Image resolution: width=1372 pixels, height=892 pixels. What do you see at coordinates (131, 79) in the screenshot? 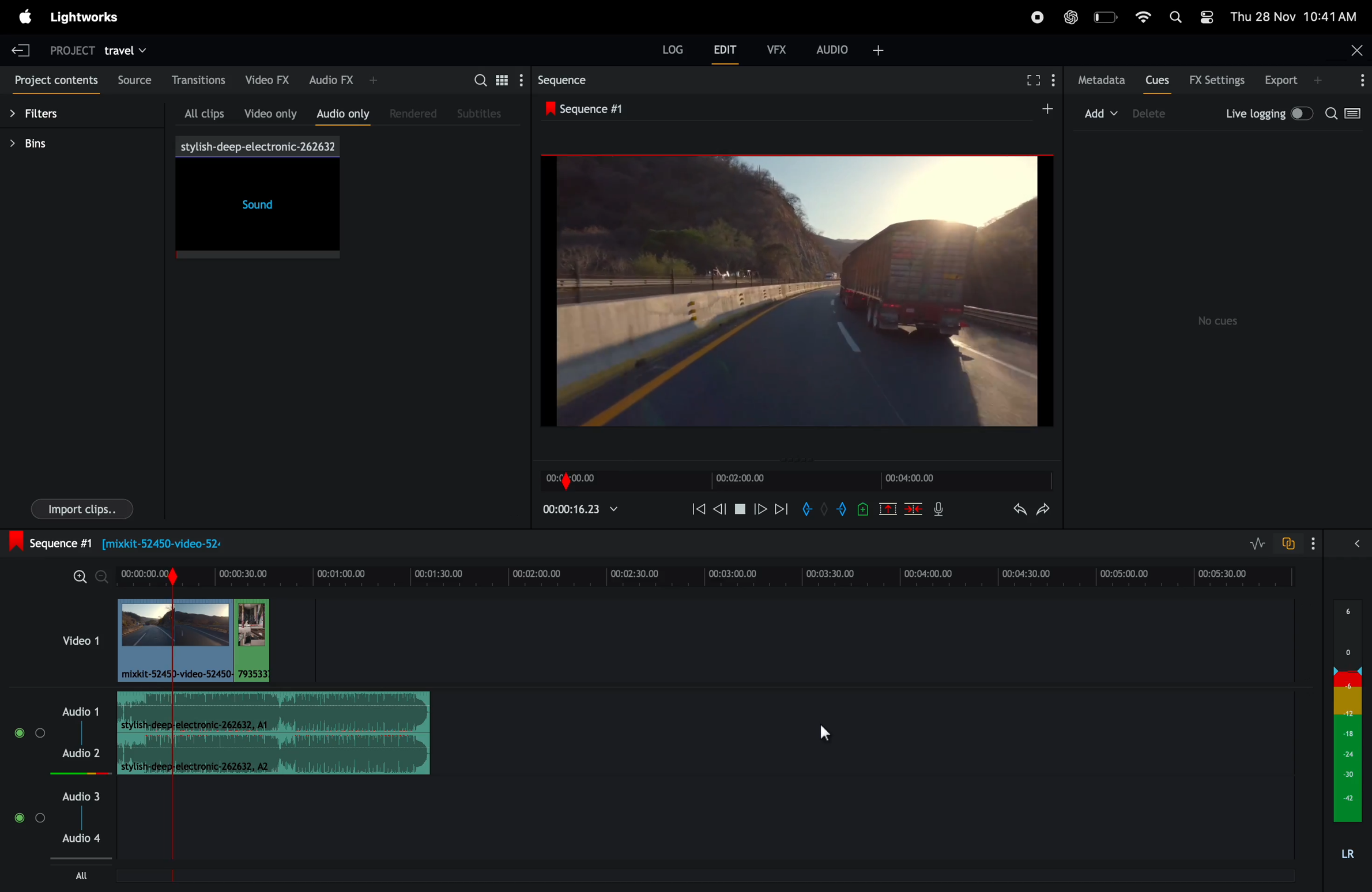
I see `source` at bounding box center [131, 79].